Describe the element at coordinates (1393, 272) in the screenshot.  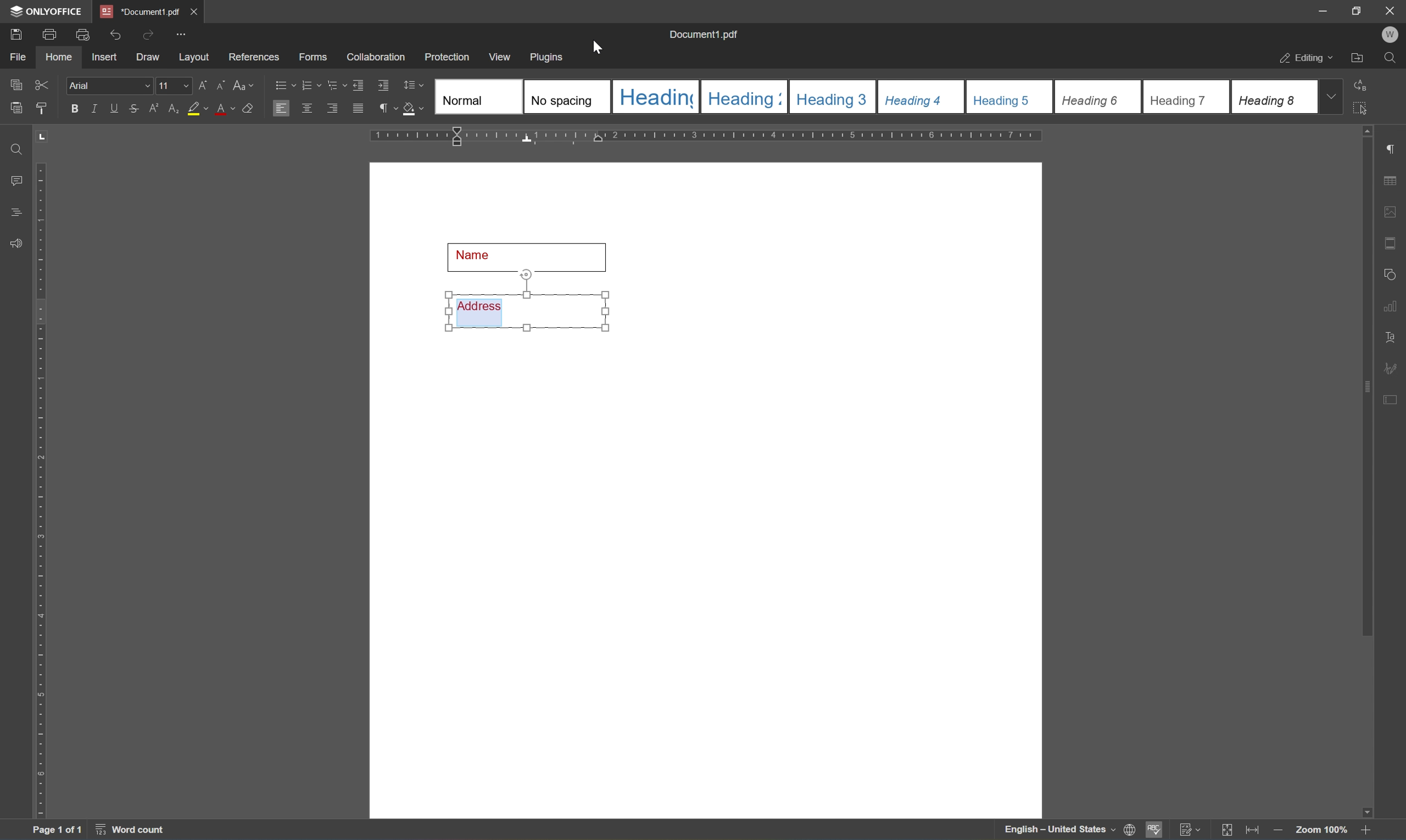
I see `shape settings` at that location.